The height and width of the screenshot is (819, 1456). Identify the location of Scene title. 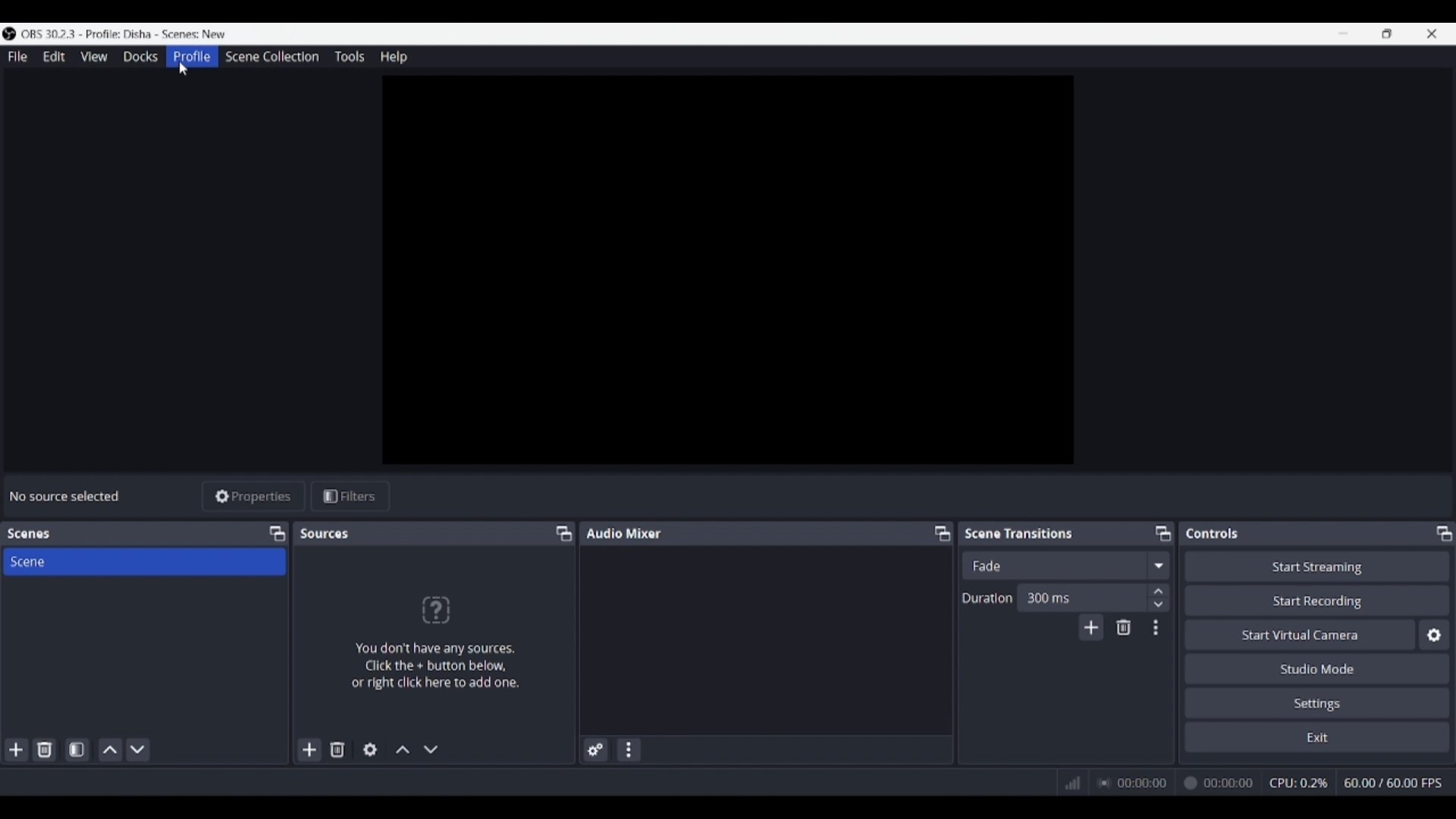
(144, 561).